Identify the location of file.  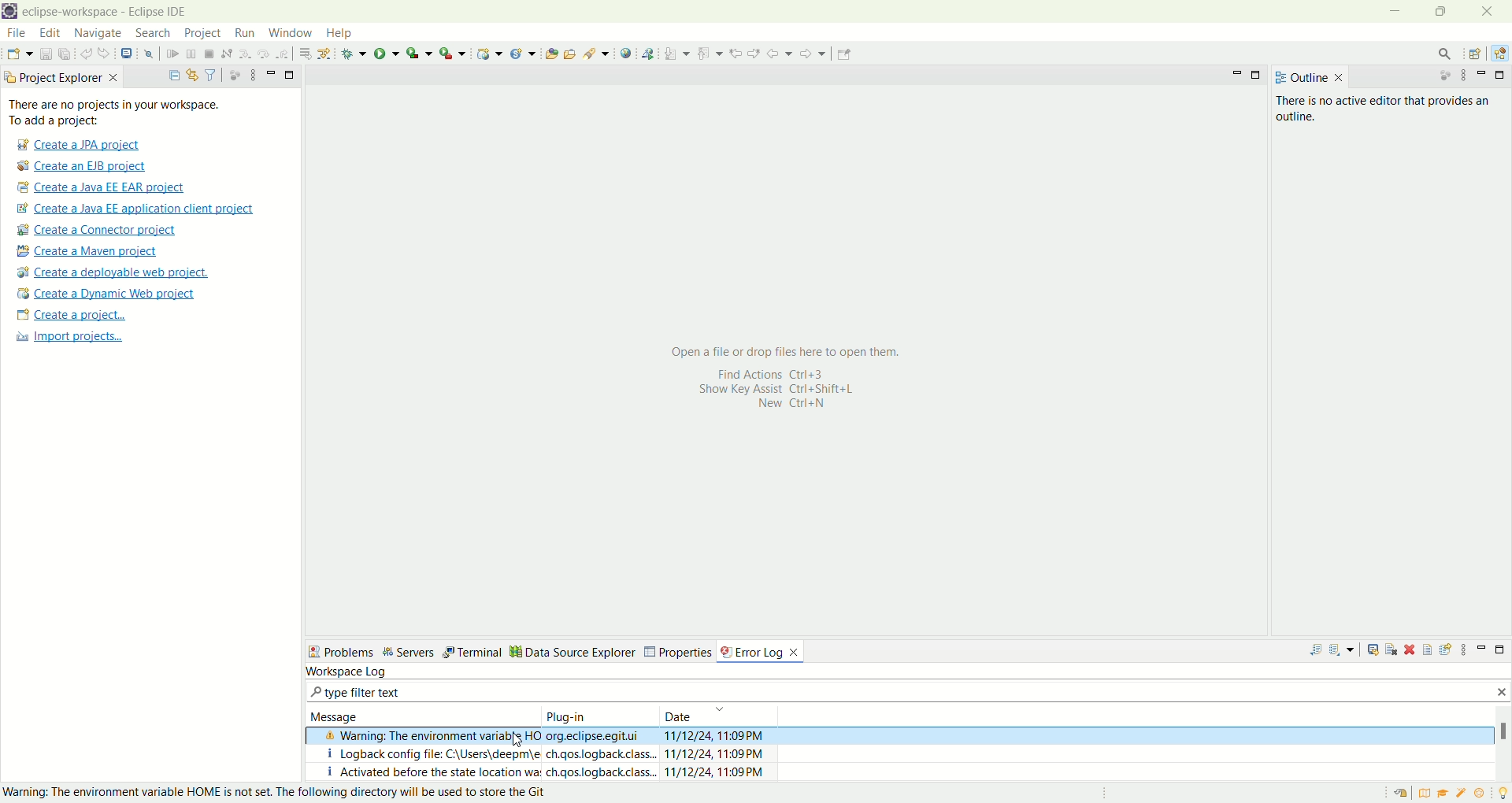
(14, 32).